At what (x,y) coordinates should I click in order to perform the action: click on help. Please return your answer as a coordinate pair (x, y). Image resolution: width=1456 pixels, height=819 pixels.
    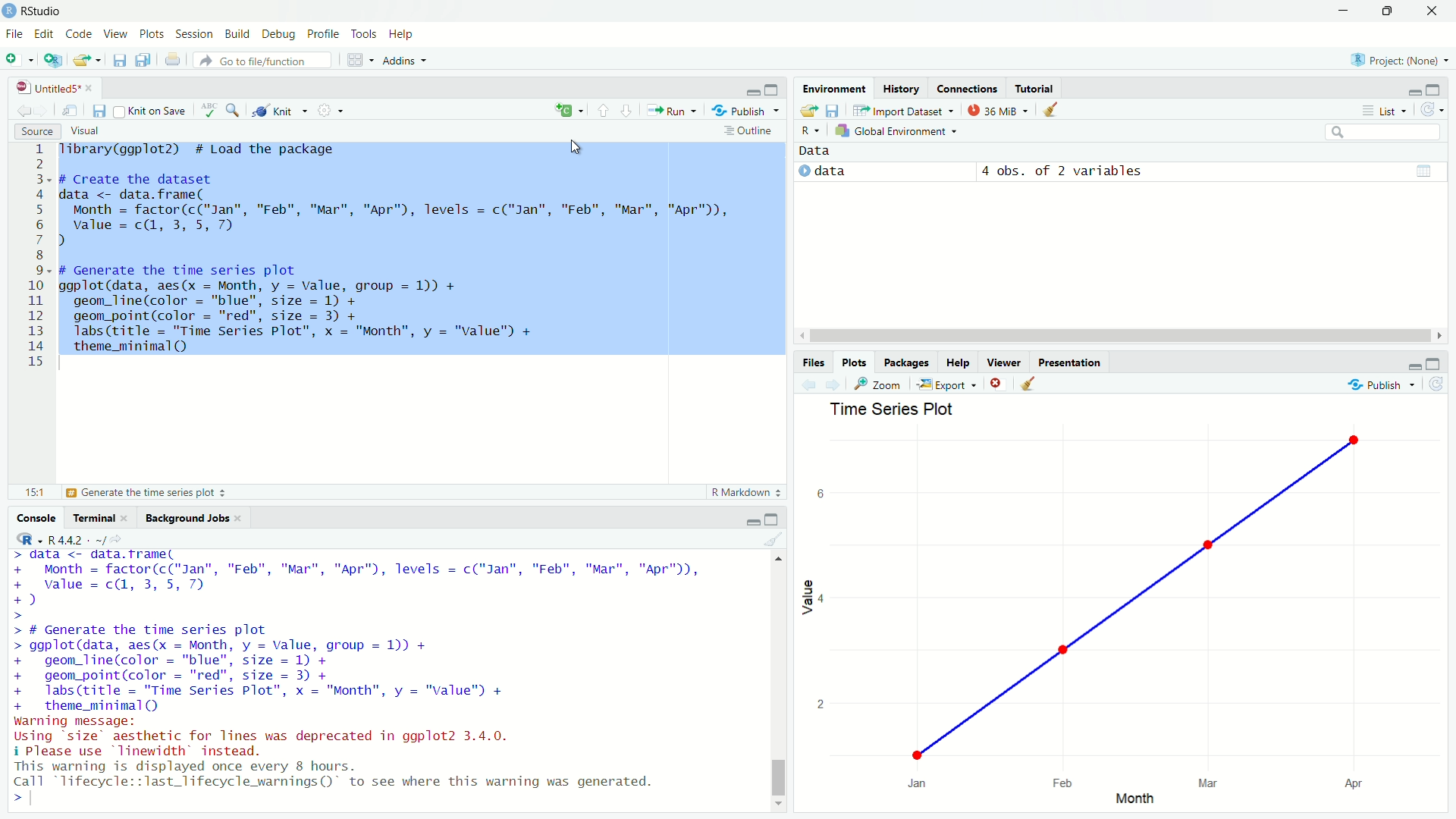
    Looking at the image, I should click on (959, 362).